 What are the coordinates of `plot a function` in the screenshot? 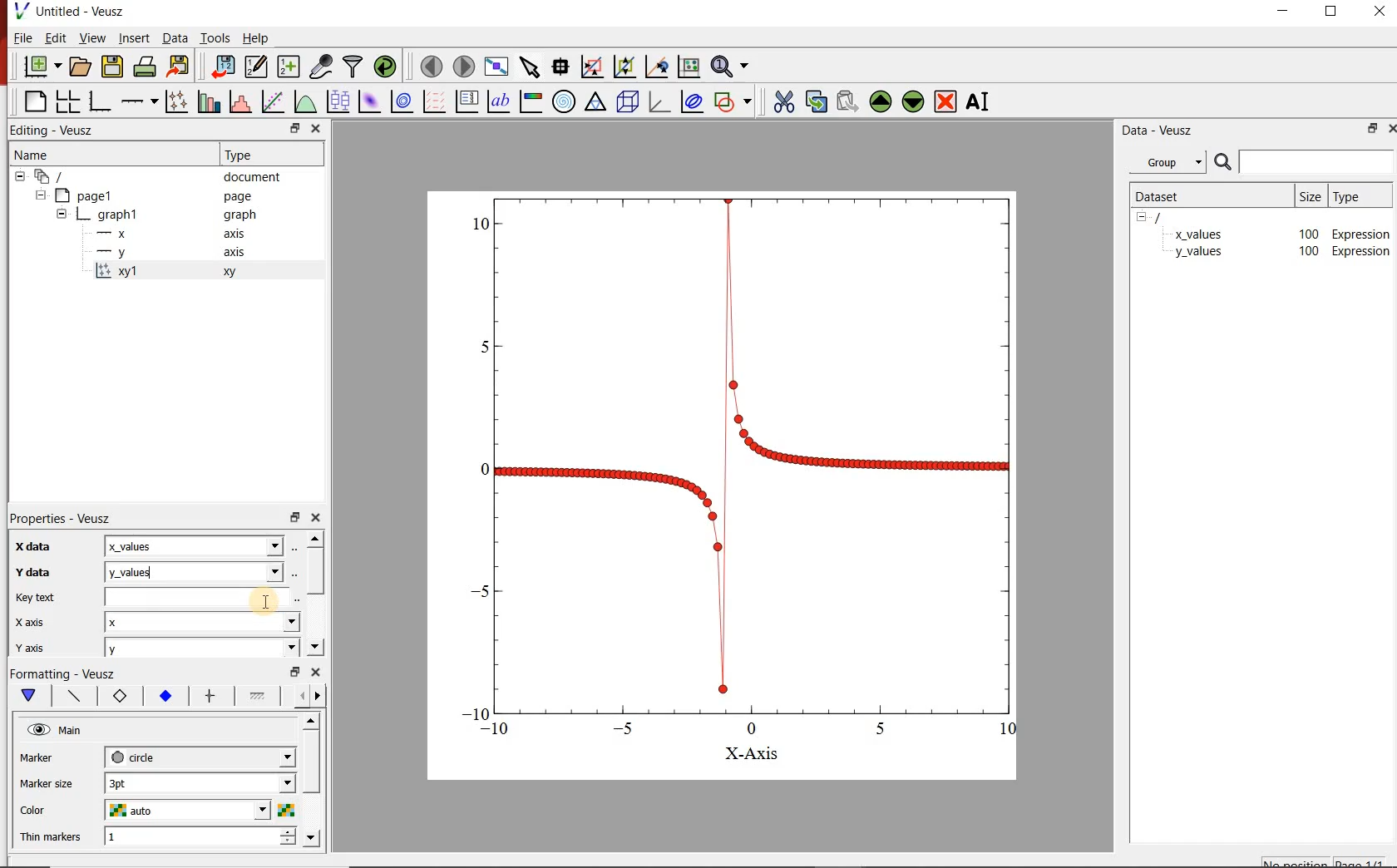 It's located at (303, 100).